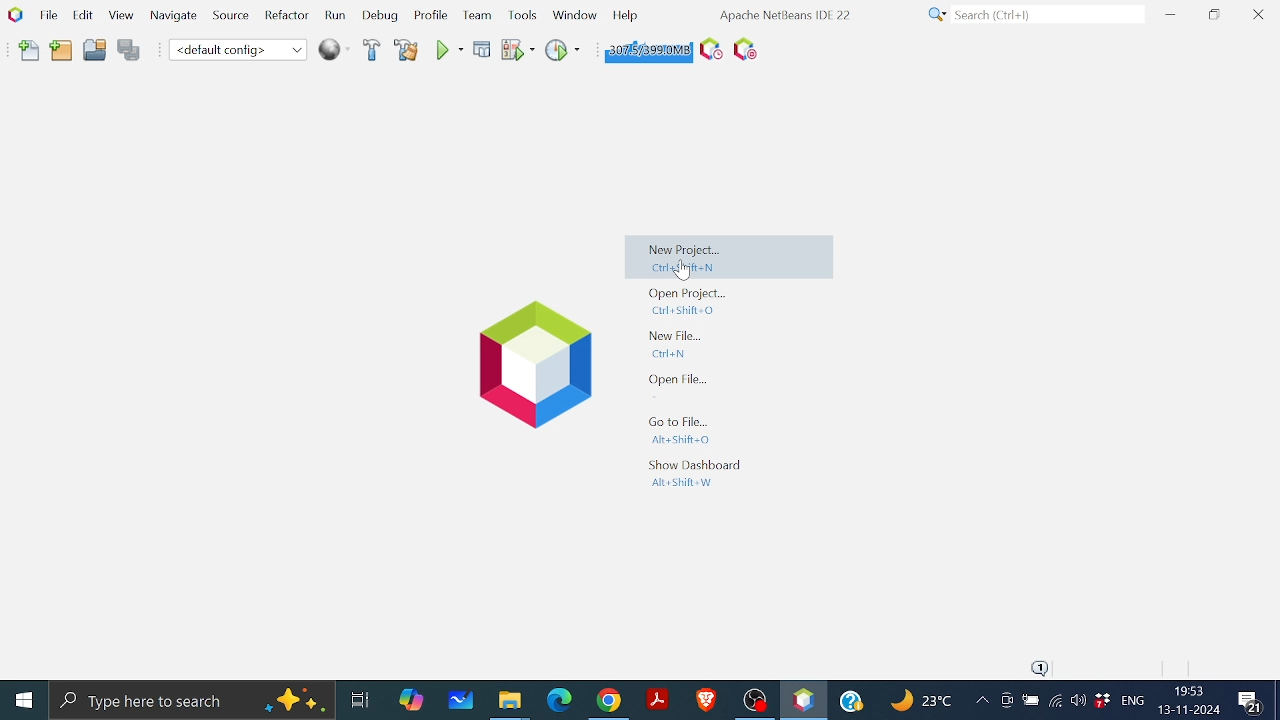  Describe the element at coordinates (611, 700) in the screenshot. I see `Google chrome` at that location.